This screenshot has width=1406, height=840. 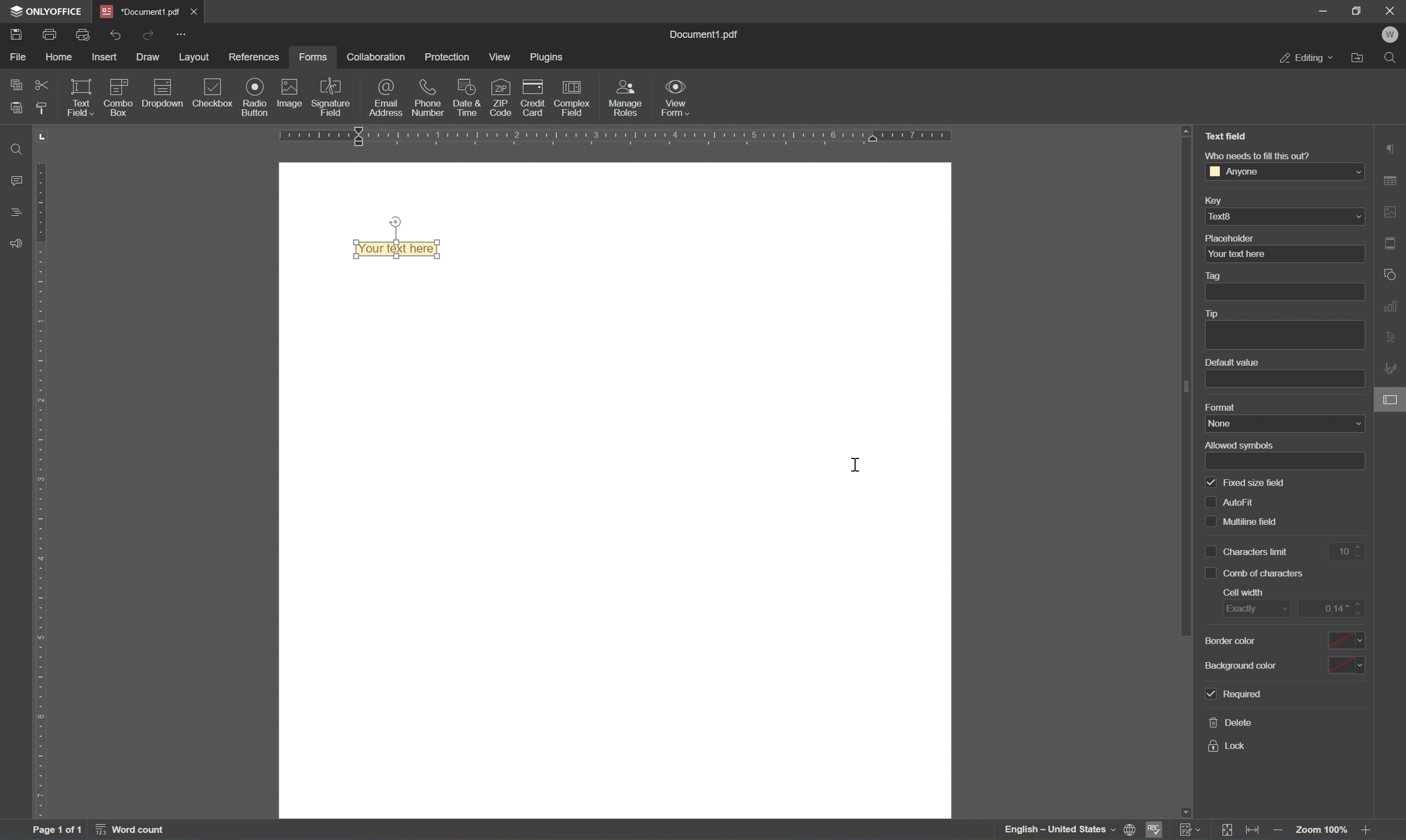 What do you see at coordinates (19, 213) in the screenshot?
I see `headings` at bounding box center [19, 213].